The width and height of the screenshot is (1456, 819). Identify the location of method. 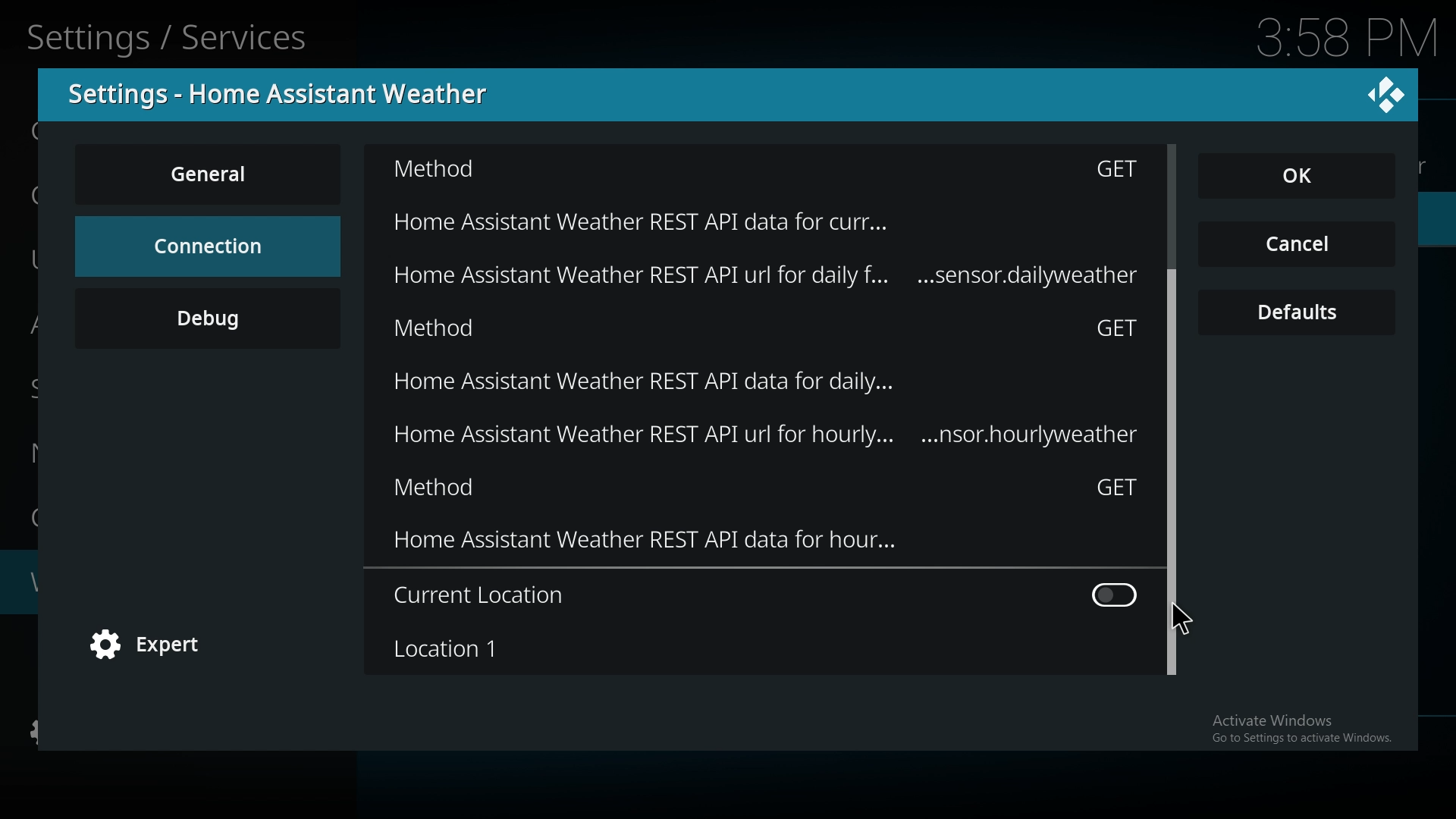
(766, 491).